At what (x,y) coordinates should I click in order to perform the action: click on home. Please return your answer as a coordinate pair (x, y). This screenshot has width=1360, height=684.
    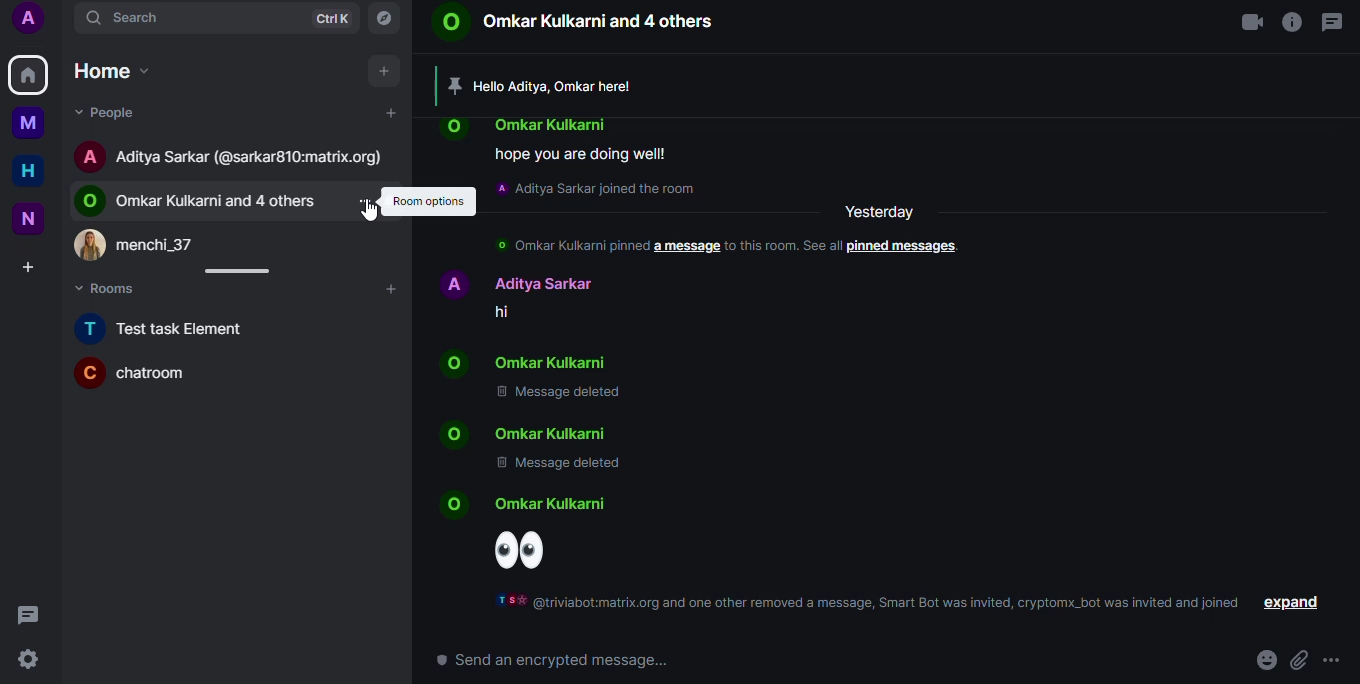
    Looking at the image, I should click on (117, 72).